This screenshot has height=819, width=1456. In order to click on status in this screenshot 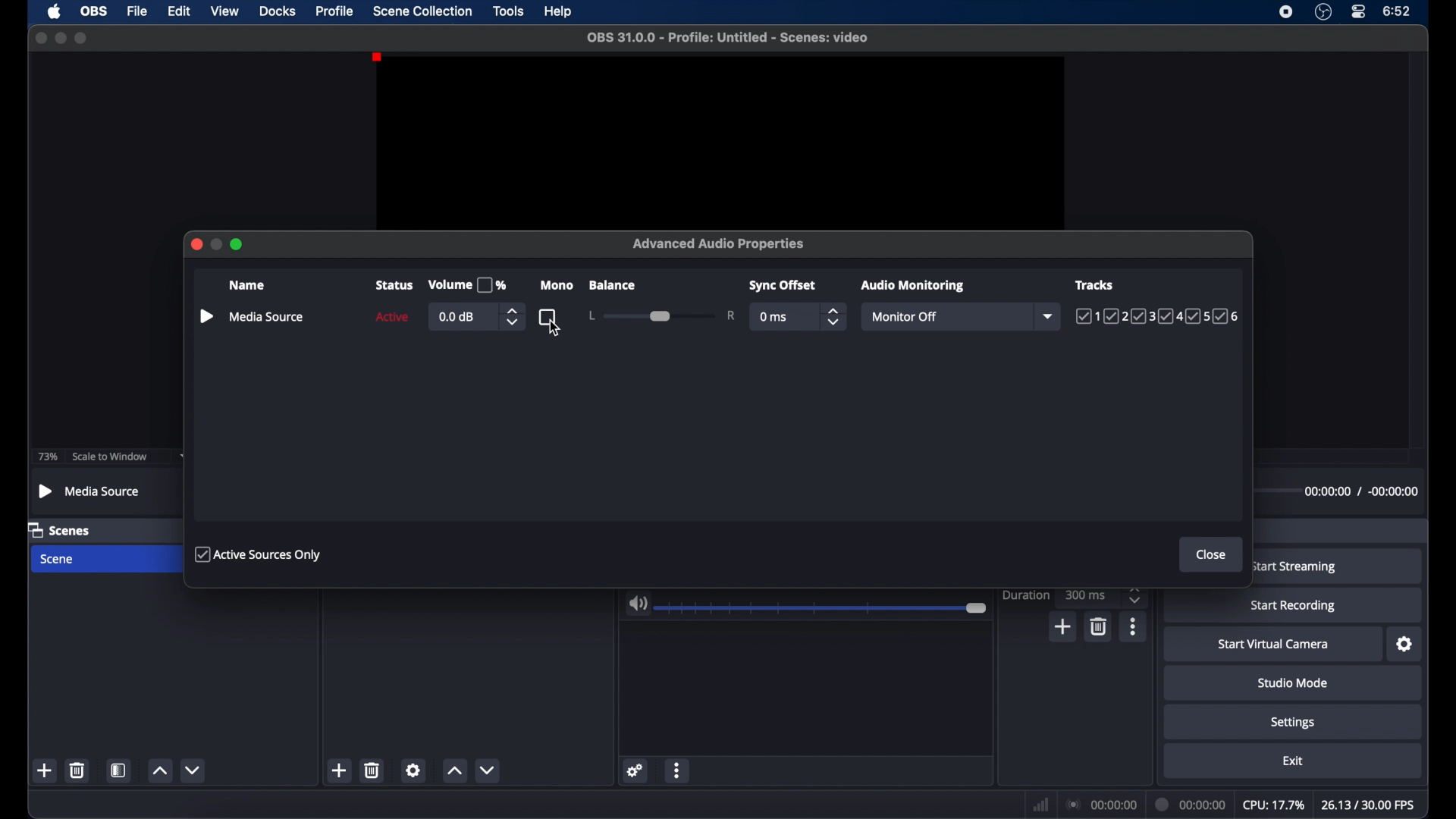, I will do `click(393, 286)`.